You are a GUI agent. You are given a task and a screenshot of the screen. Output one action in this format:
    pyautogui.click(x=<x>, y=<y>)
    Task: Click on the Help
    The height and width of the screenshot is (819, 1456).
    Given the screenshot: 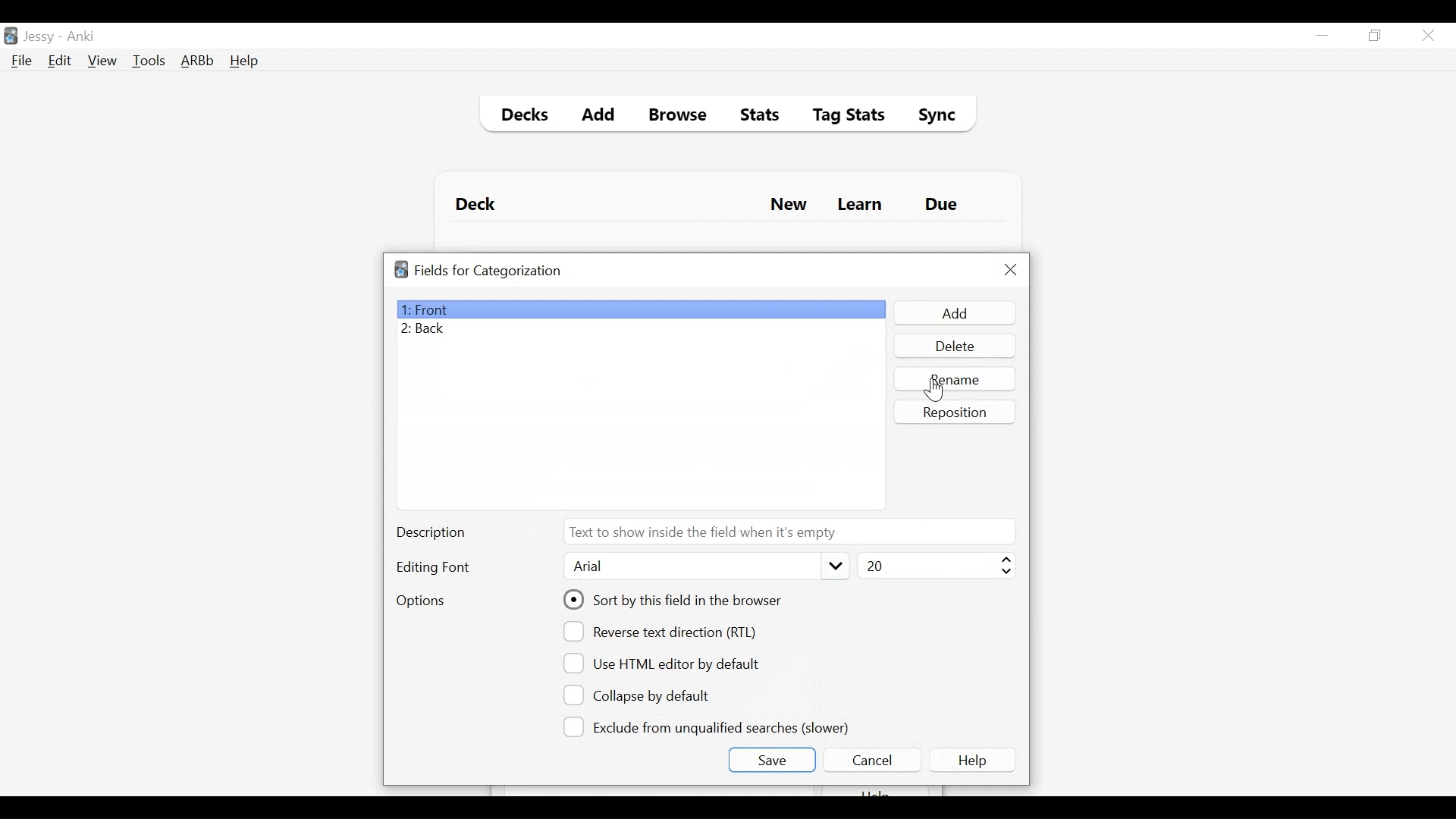 What is the action you would take?
    pyautogui.click(x=243, y=62)
    